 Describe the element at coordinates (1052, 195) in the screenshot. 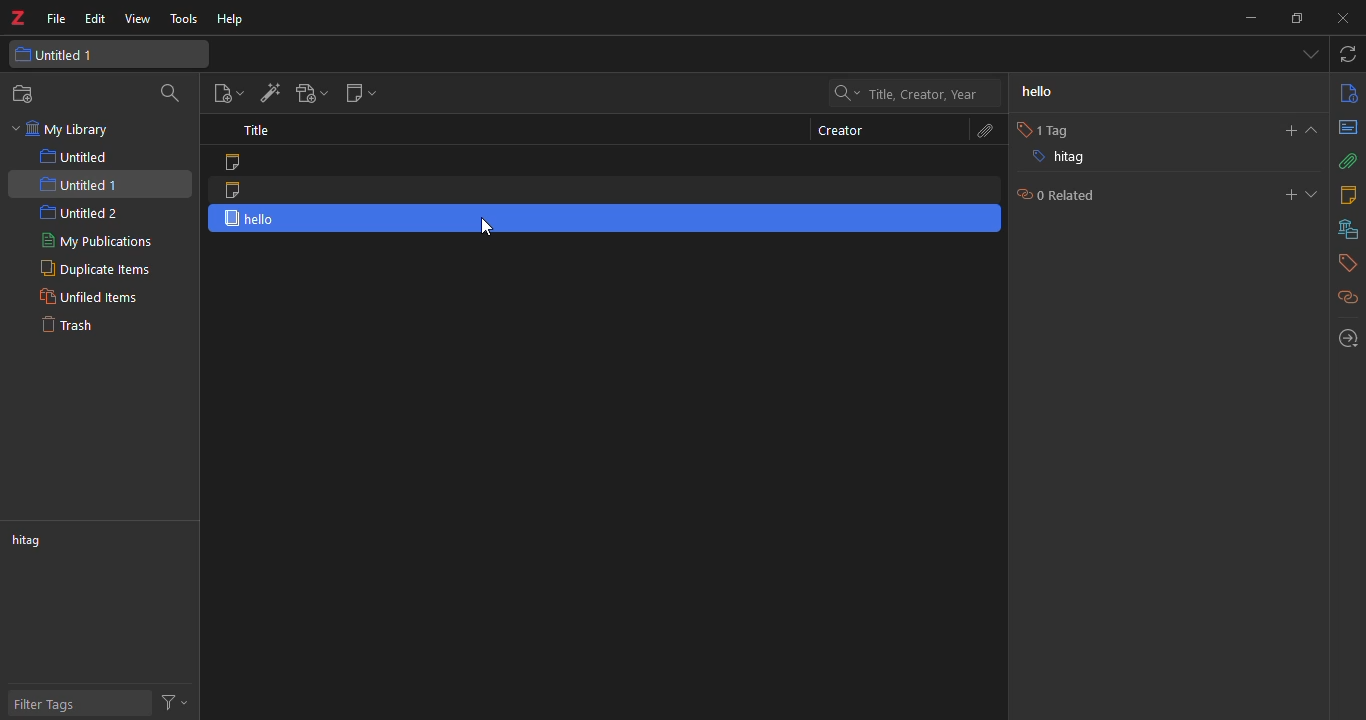

I see `0 related` at that location.